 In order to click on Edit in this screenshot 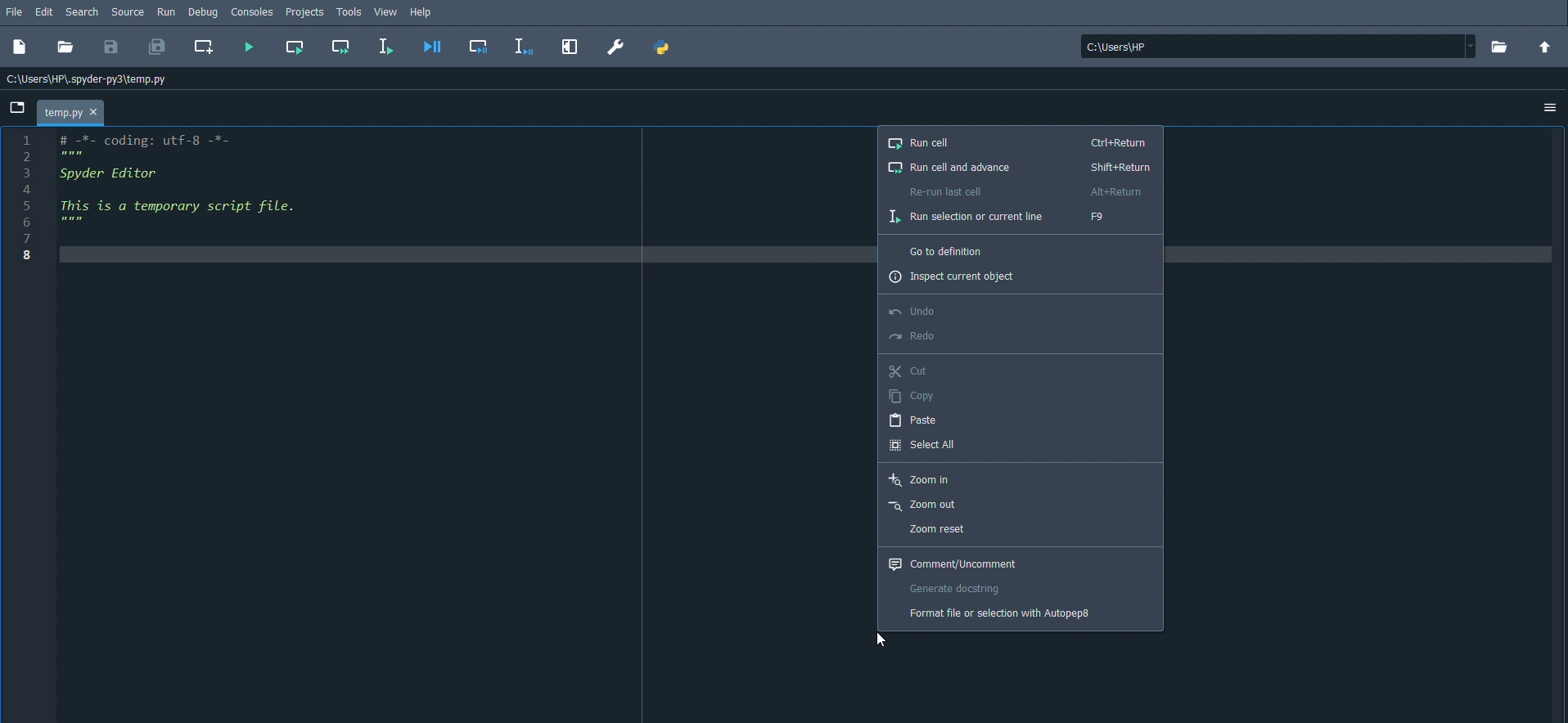, I will do `click(46, 12)`.